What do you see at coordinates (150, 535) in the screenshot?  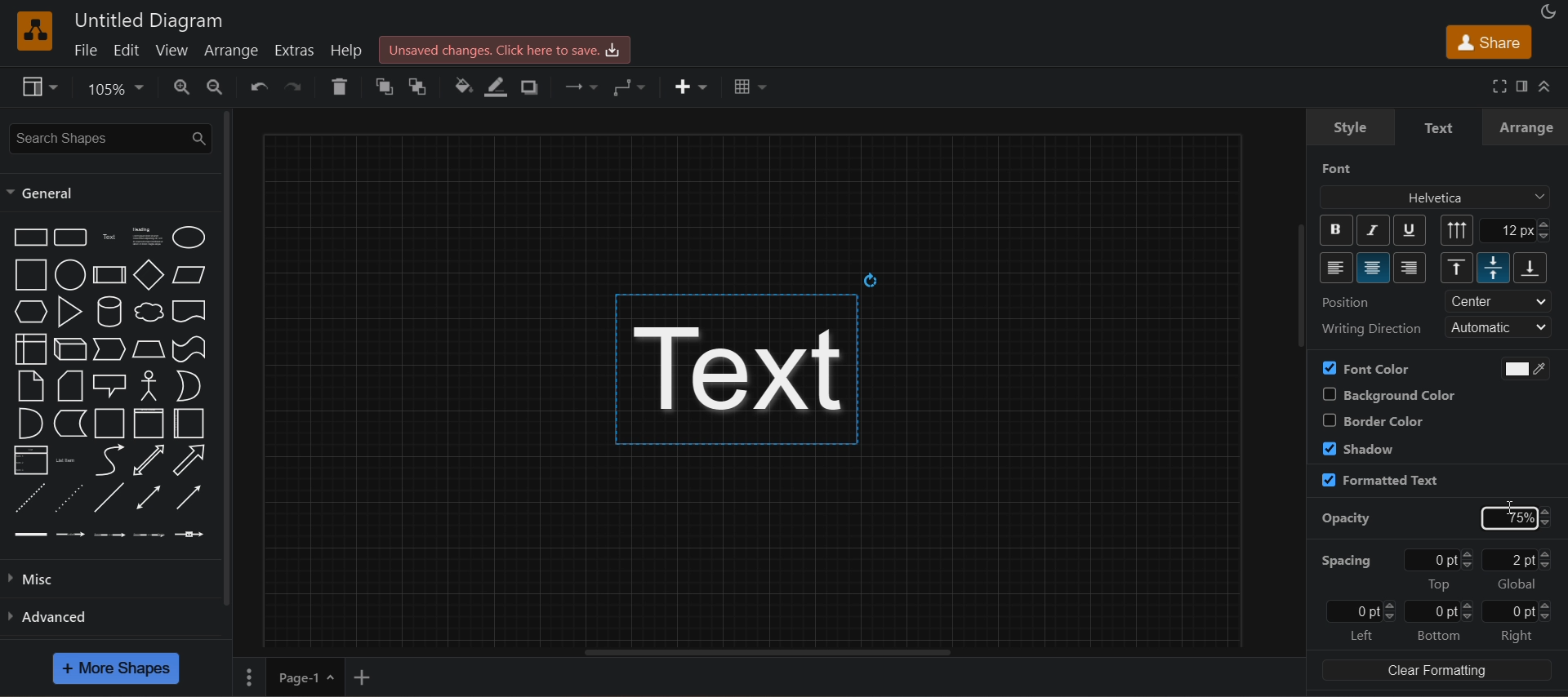 I see `connector with 3 labels` at bounding box center [150, 535].